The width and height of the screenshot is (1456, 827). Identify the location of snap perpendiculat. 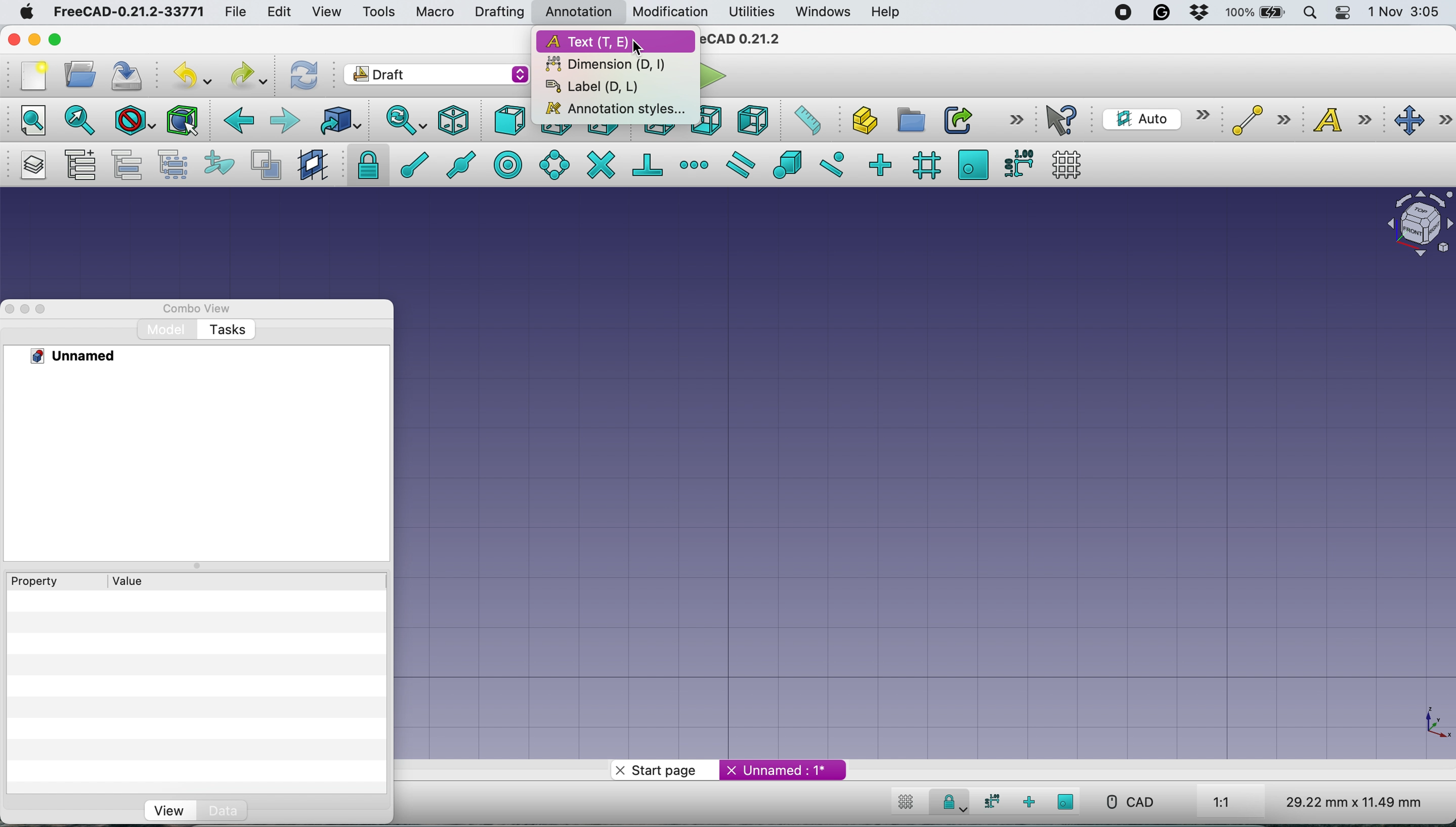
(648, 166).